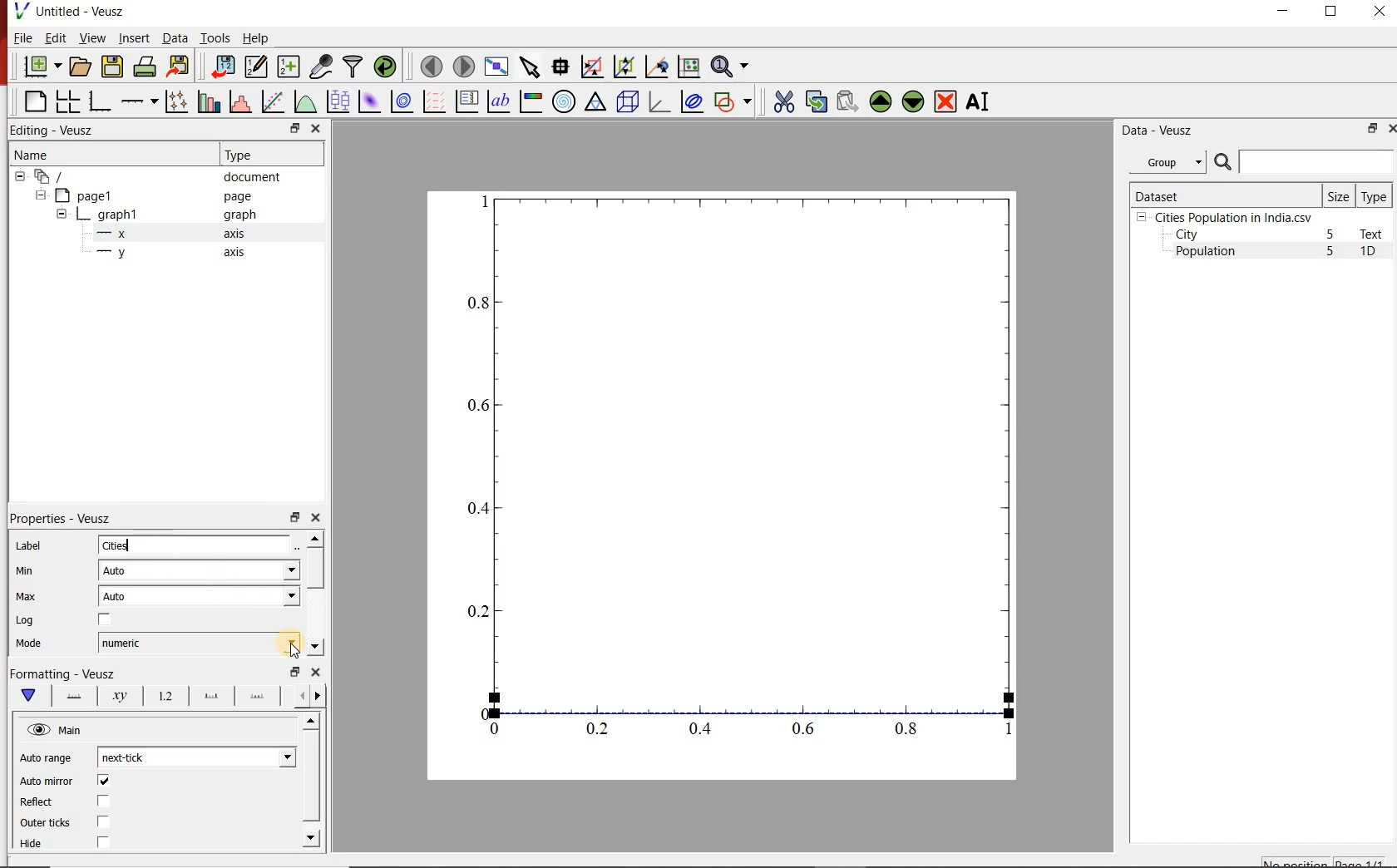 The height and width of the screenshot is (868, 1397). I want to click on Dataset, so click(1223, 195).